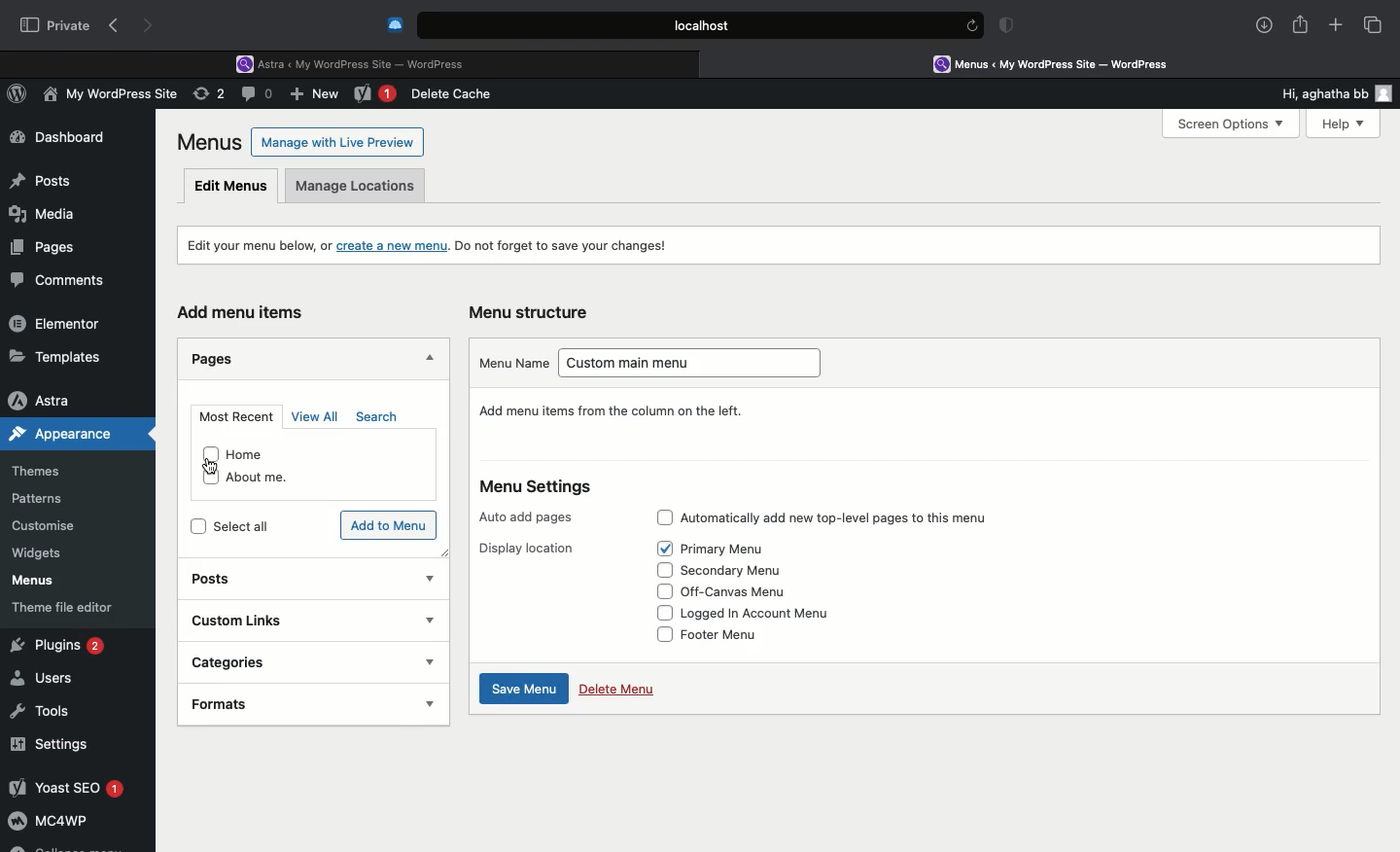  I want to click on Media, so click(45, 211).